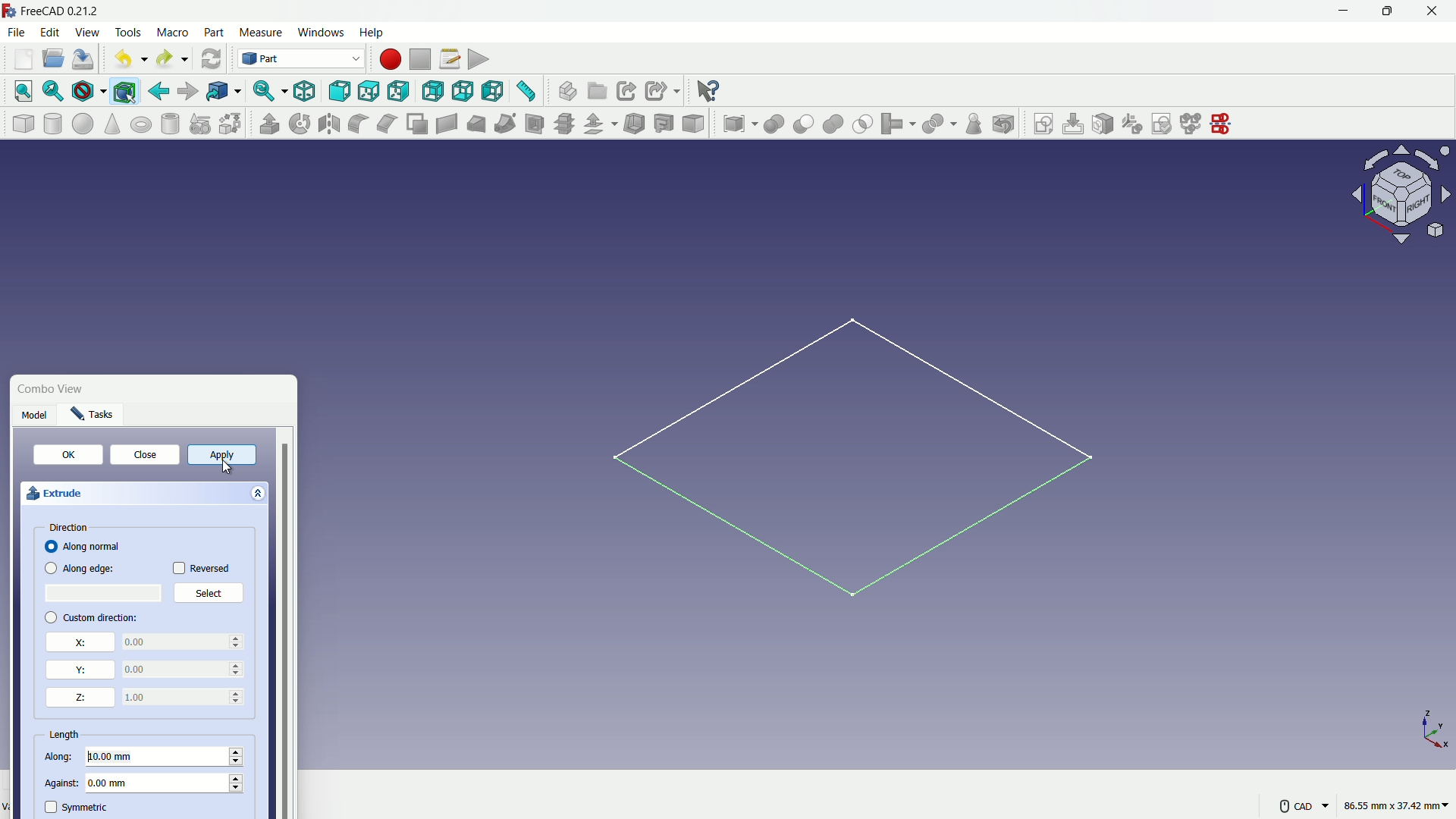  What do you see at coordinates (162, 757) in the screenshot?
I see `10.00 mm` at bounding box center [162, 757].